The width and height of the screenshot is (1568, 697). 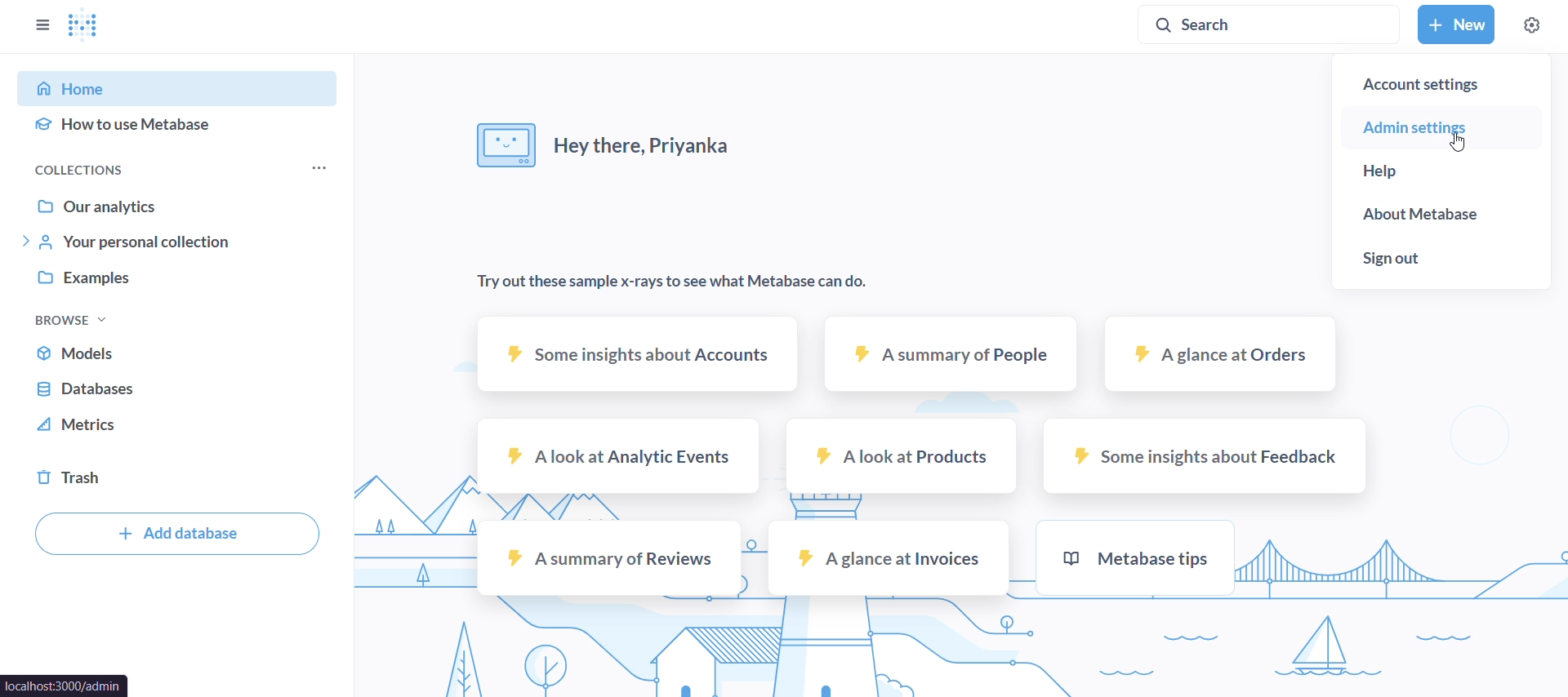 I want to click on browse, so click(x=95, y=321).